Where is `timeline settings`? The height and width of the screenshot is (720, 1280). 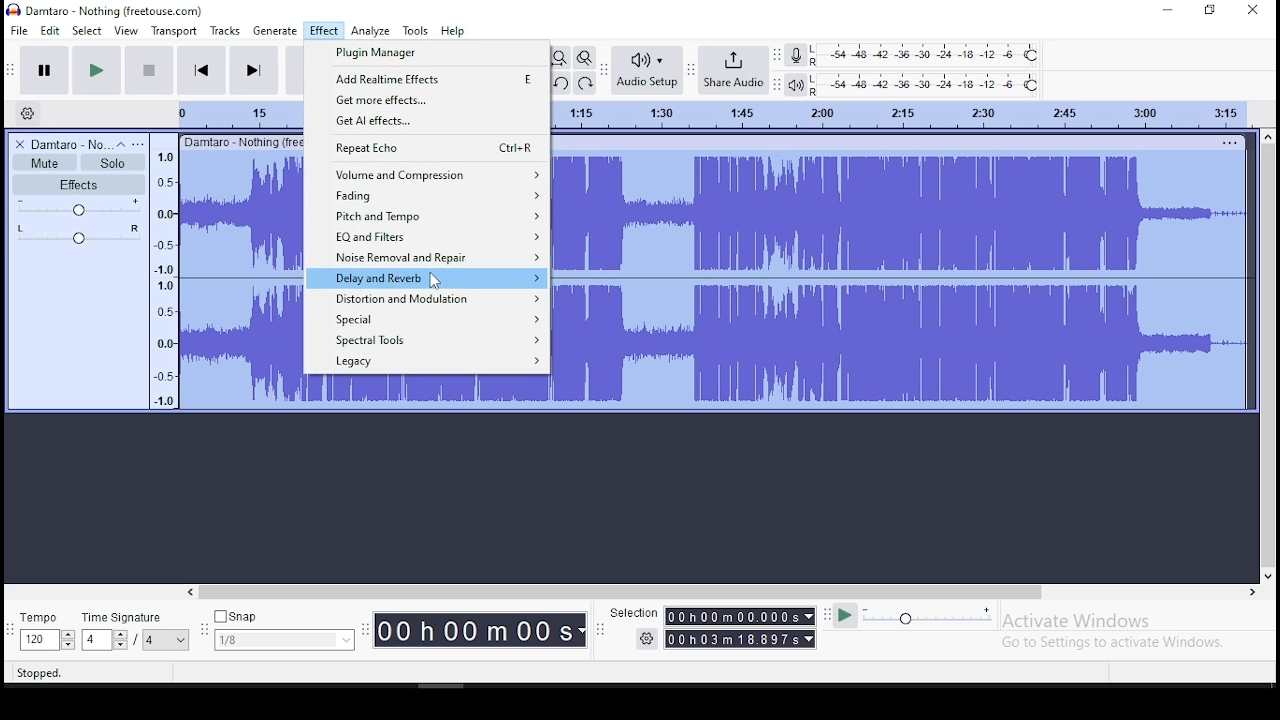 timeline settings is located at coordinates (27, 111).